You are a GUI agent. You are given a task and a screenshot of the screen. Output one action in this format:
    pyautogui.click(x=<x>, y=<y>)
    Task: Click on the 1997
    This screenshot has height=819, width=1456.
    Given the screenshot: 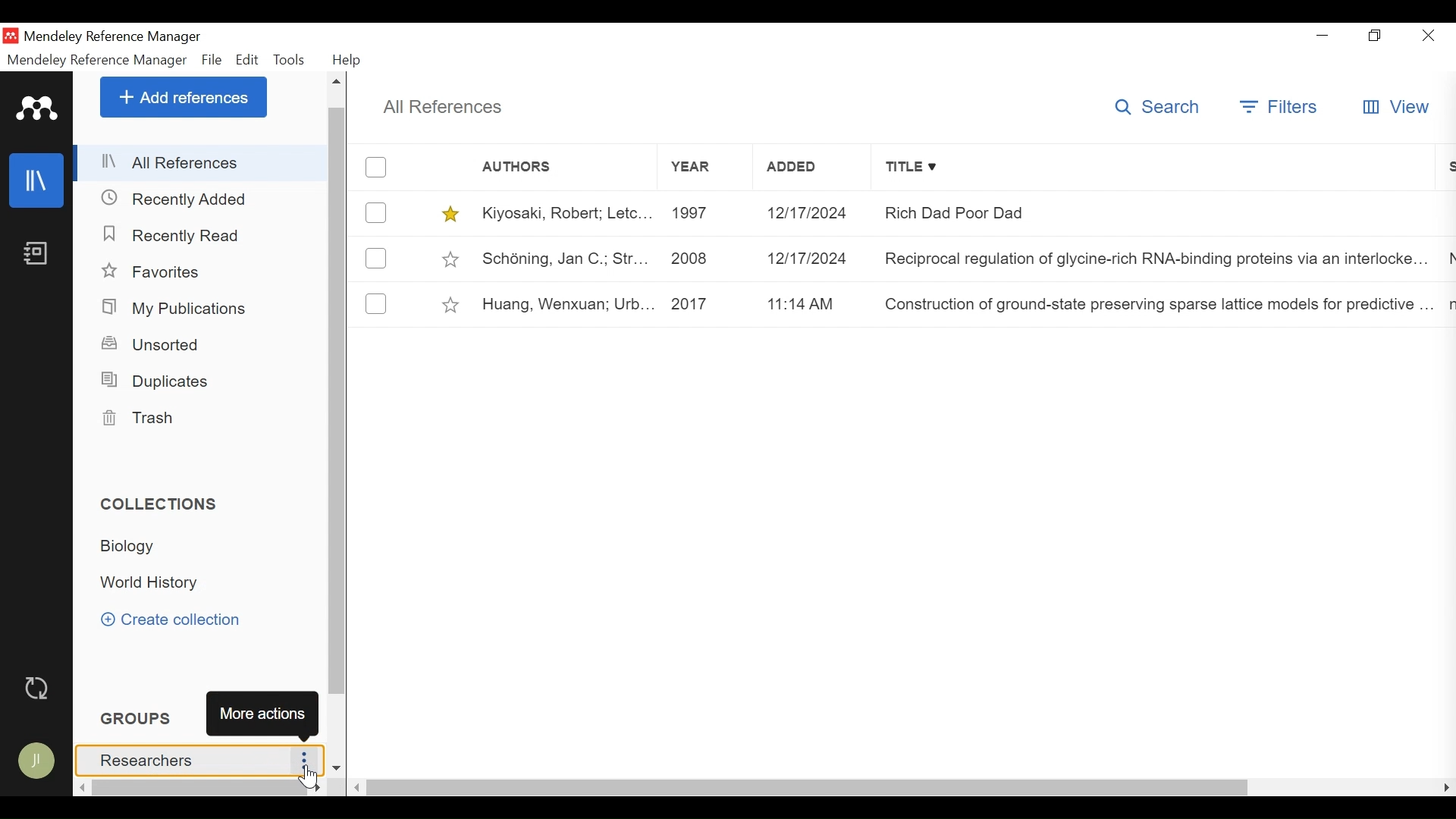 What is the action you would take?
    pyautogui.click(x=704, y=214)
    